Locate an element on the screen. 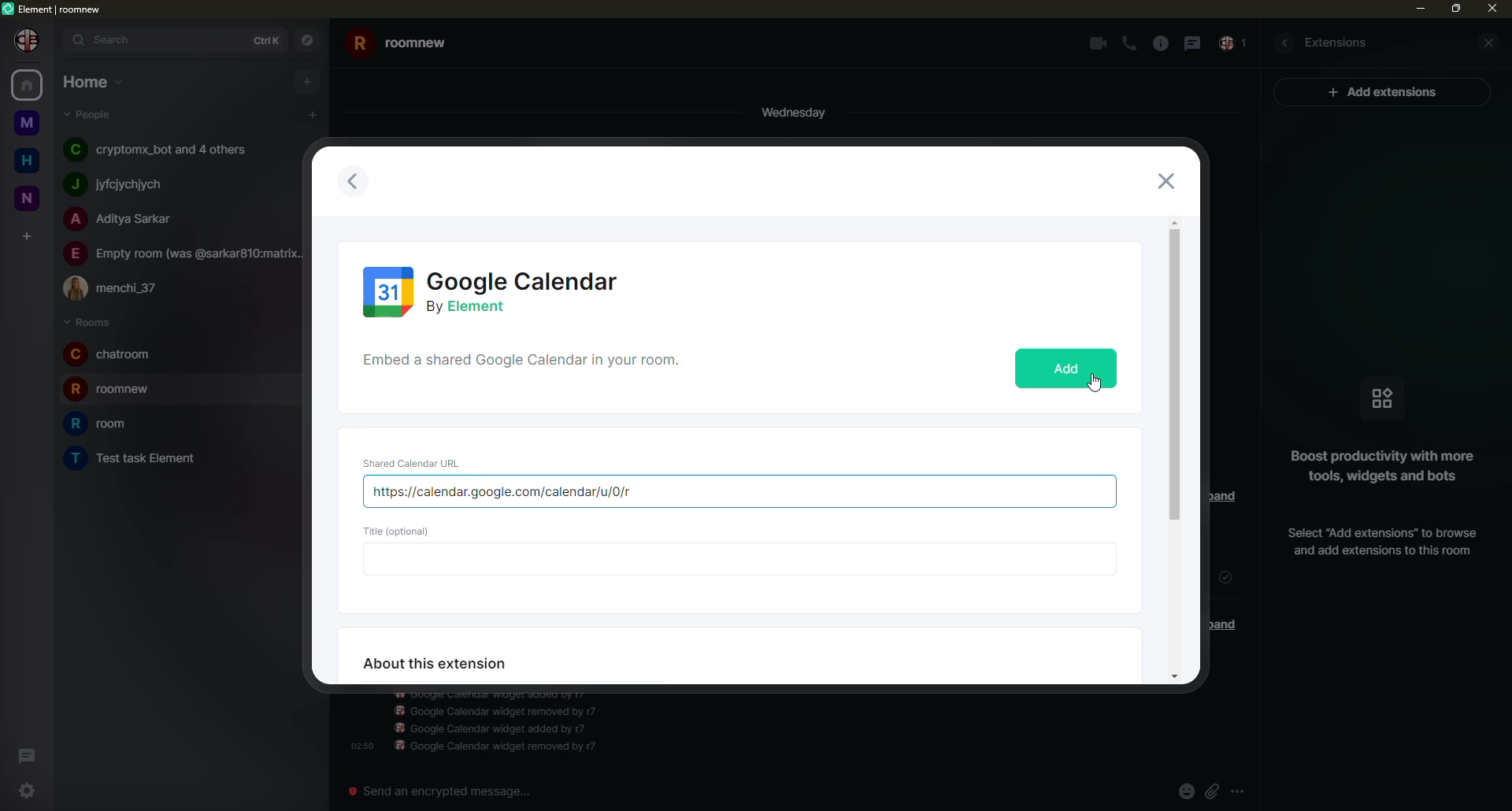  move up is located at coordinates (1176, 221).